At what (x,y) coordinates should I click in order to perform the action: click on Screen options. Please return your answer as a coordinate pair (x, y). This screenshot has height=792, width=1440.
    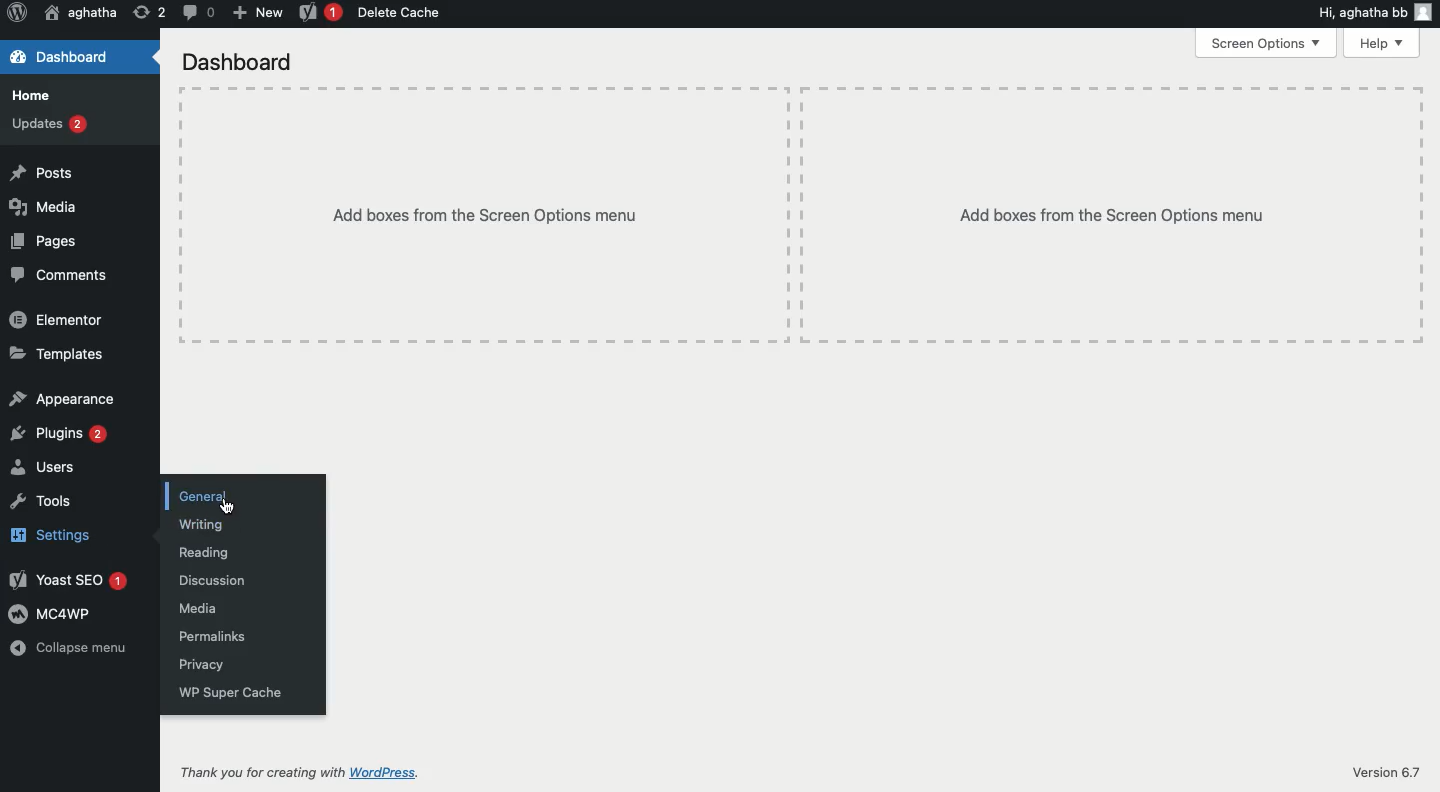
    Looking at the image, I should click on (1265, 44).